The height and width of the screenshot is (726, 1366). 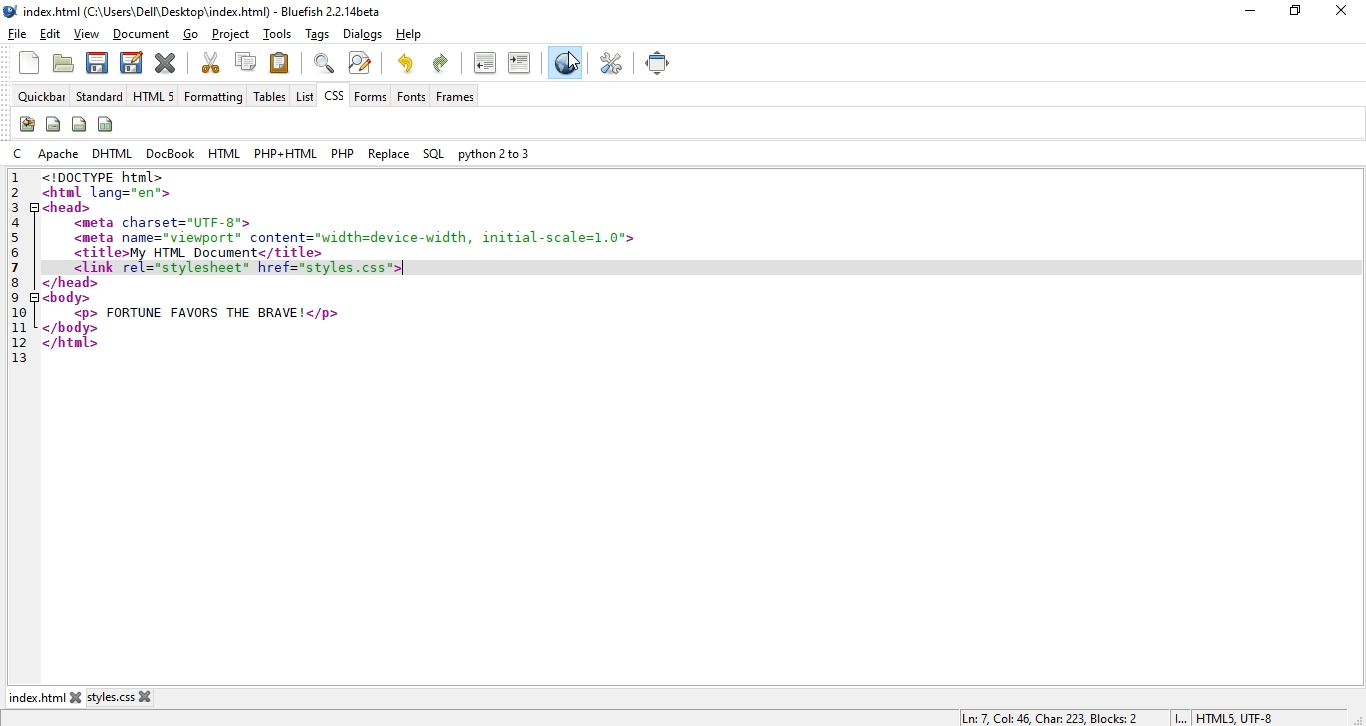 What do you see at coordinates (71, 328) in the screenshot?
I see `</body>` at bounding box center [71, 328].